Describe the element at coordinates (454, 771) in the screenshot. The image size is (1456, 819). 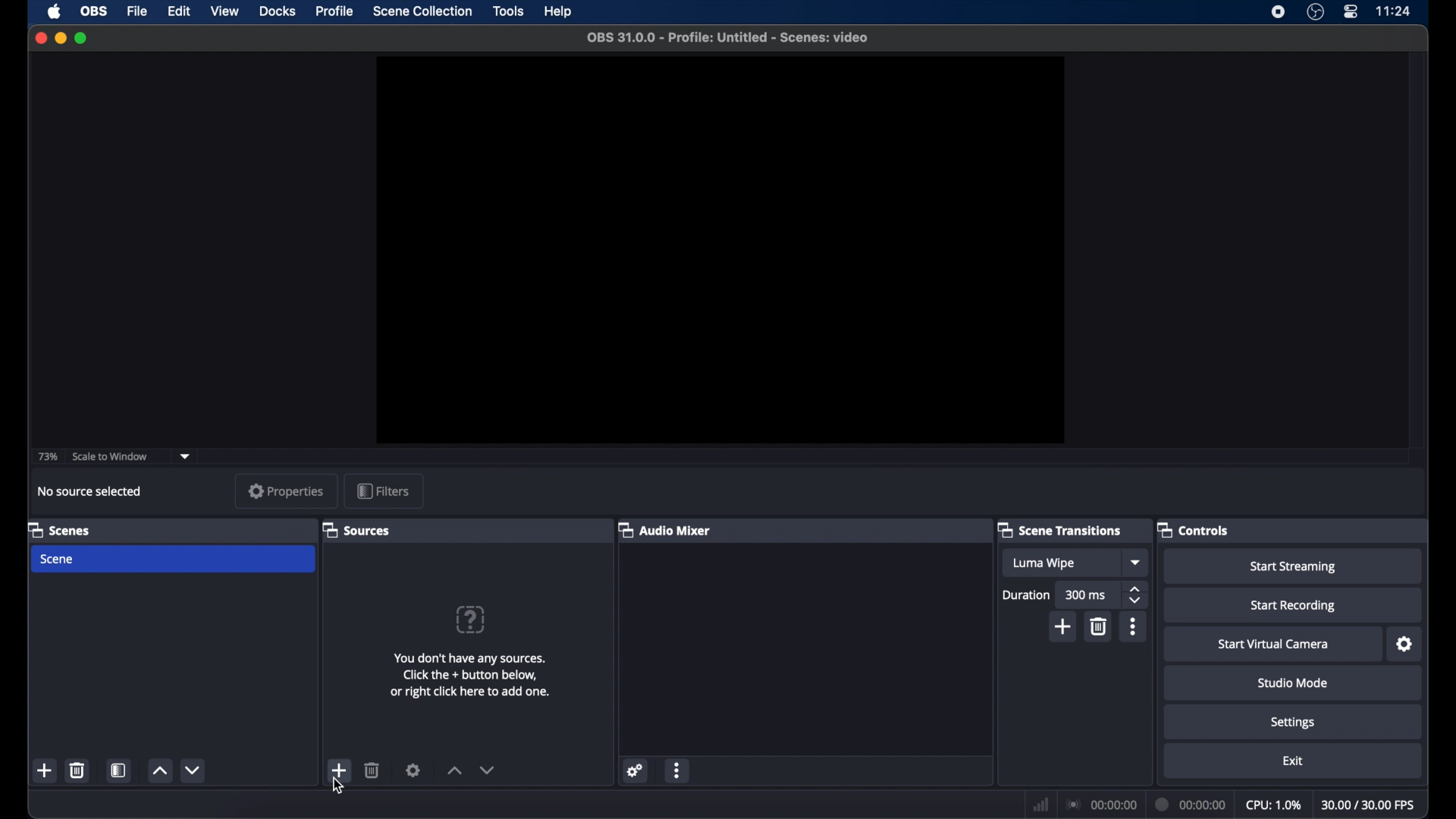
I see `increment` at that location.